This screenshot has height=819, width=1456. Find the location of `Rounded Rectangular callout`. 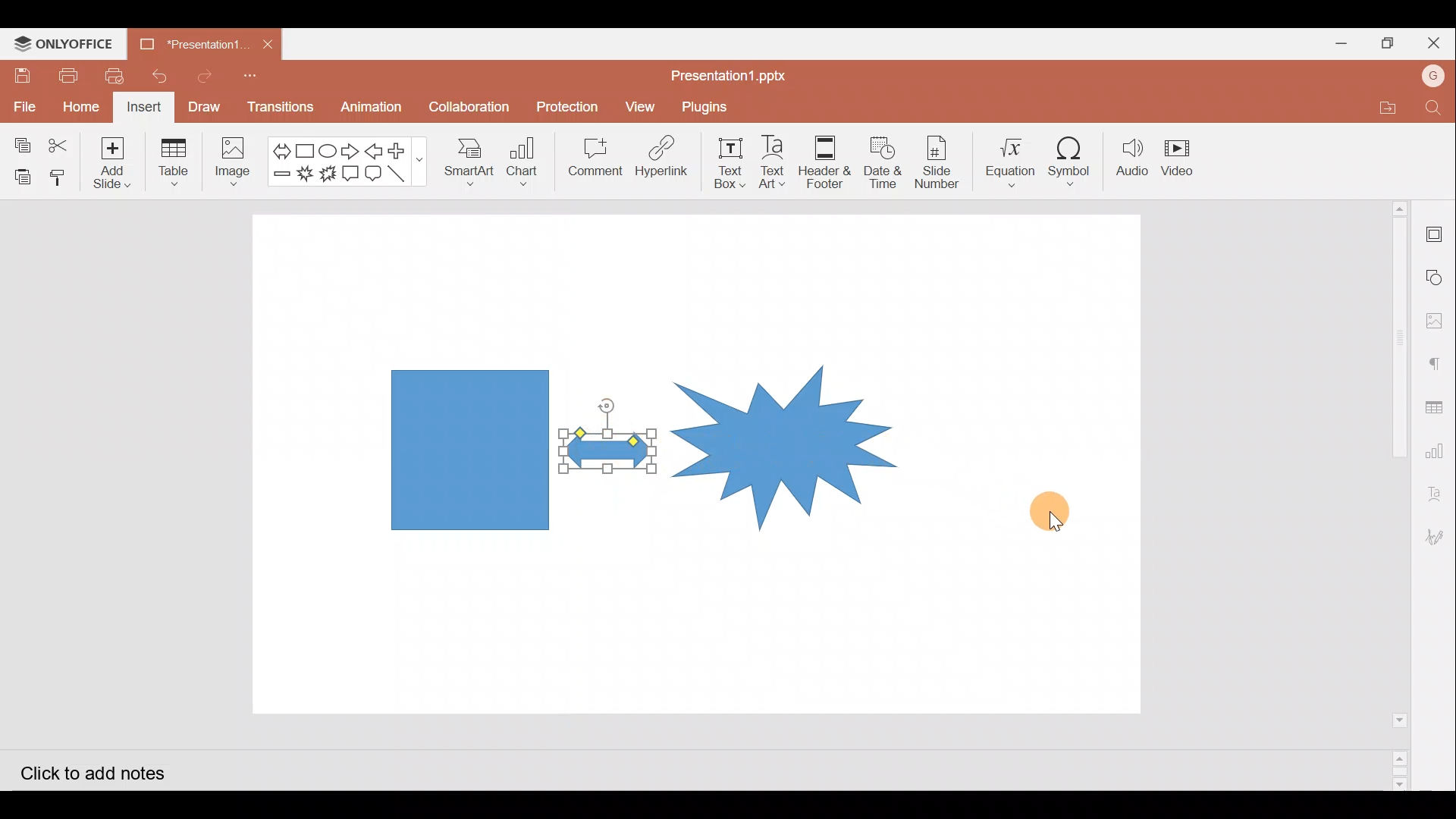

Rounded Rectangular callout is located at coordinates (376, 171).